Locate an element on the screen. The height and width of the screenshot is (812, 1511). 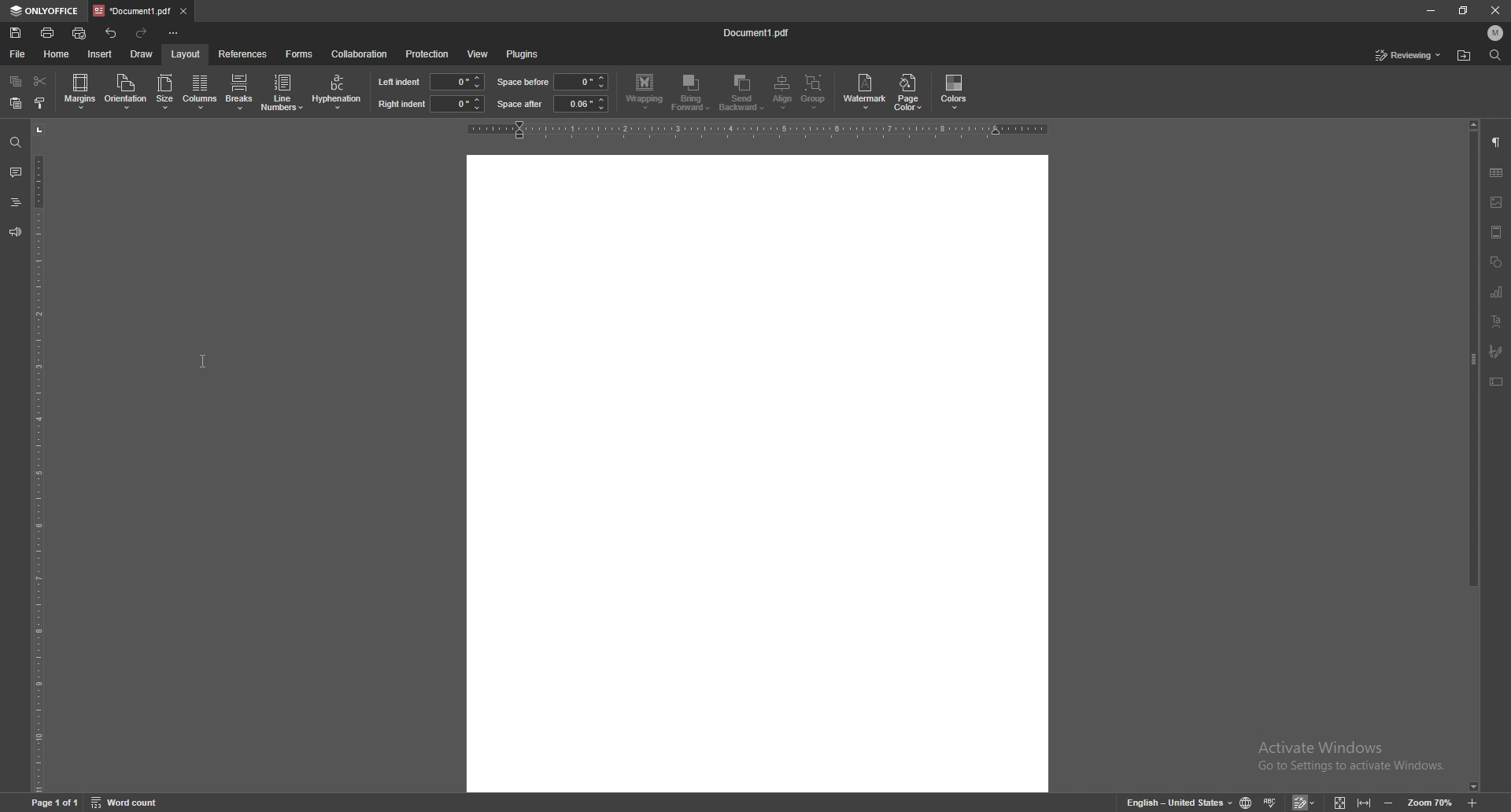
Word count is located at coordinates (135, 802).